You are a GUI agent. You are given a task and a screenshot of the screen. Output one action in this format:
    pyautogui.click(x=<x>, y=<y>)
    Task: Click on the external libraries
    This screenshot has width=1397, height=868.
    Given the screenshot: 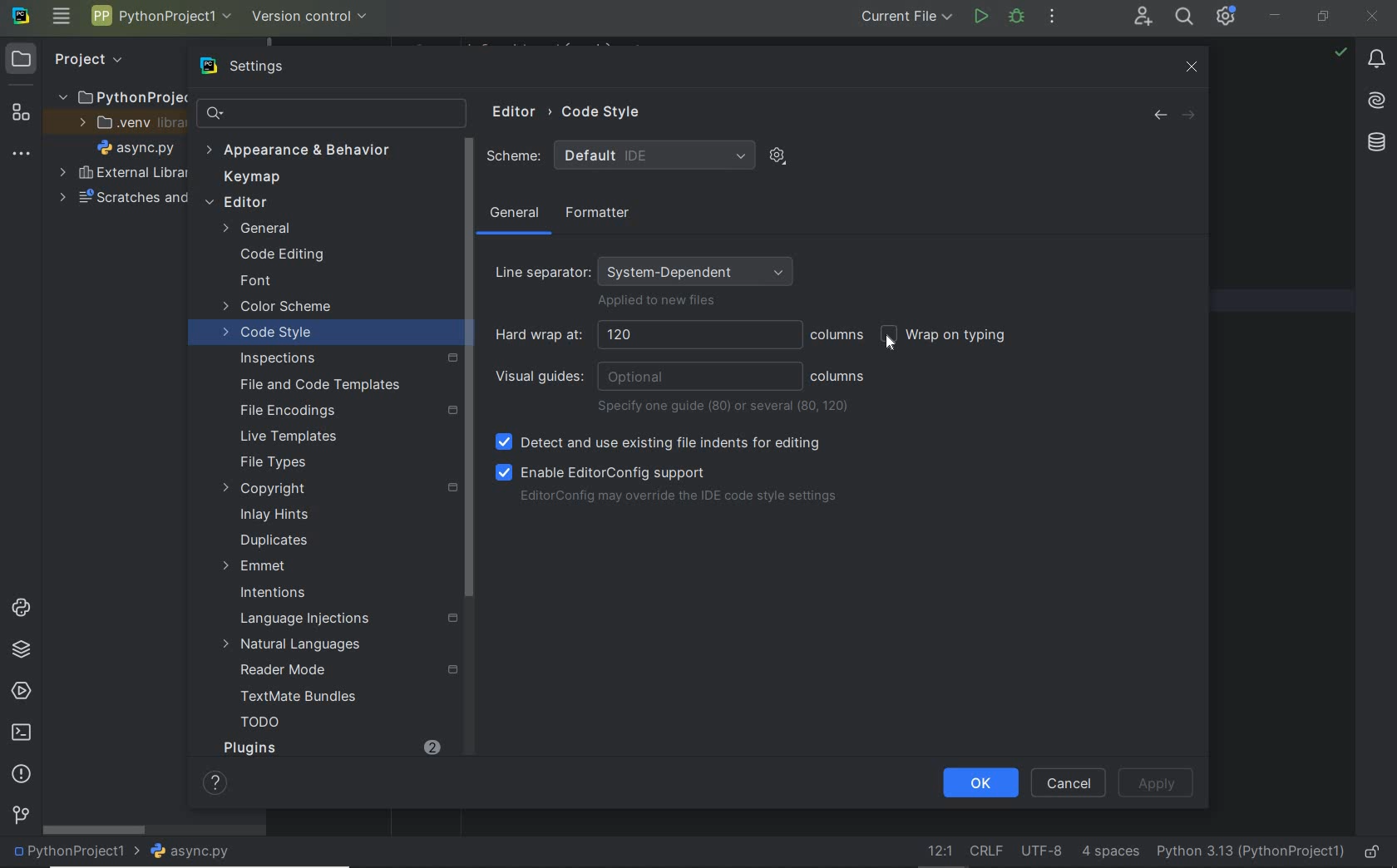 What is the action you would take?
    pyautogui.click(x=122, y=173)
    